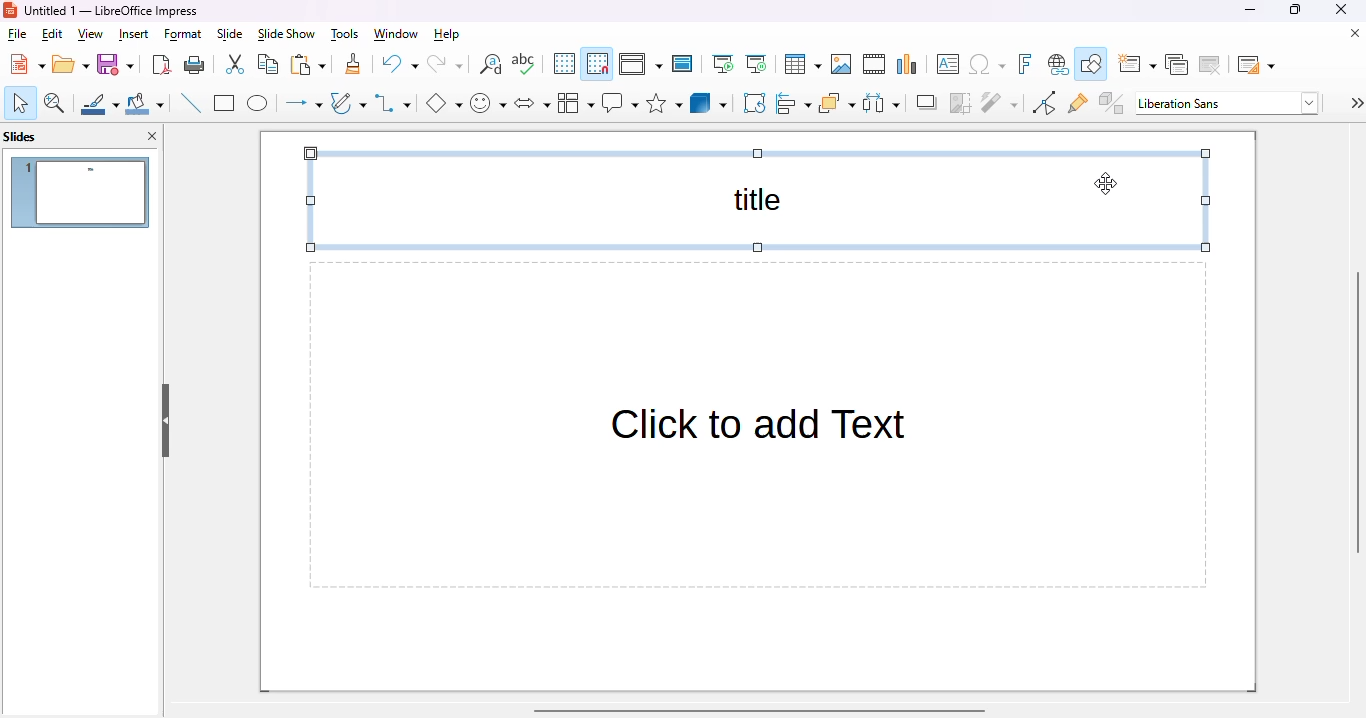  I want to click on redo, so click(445, 64).